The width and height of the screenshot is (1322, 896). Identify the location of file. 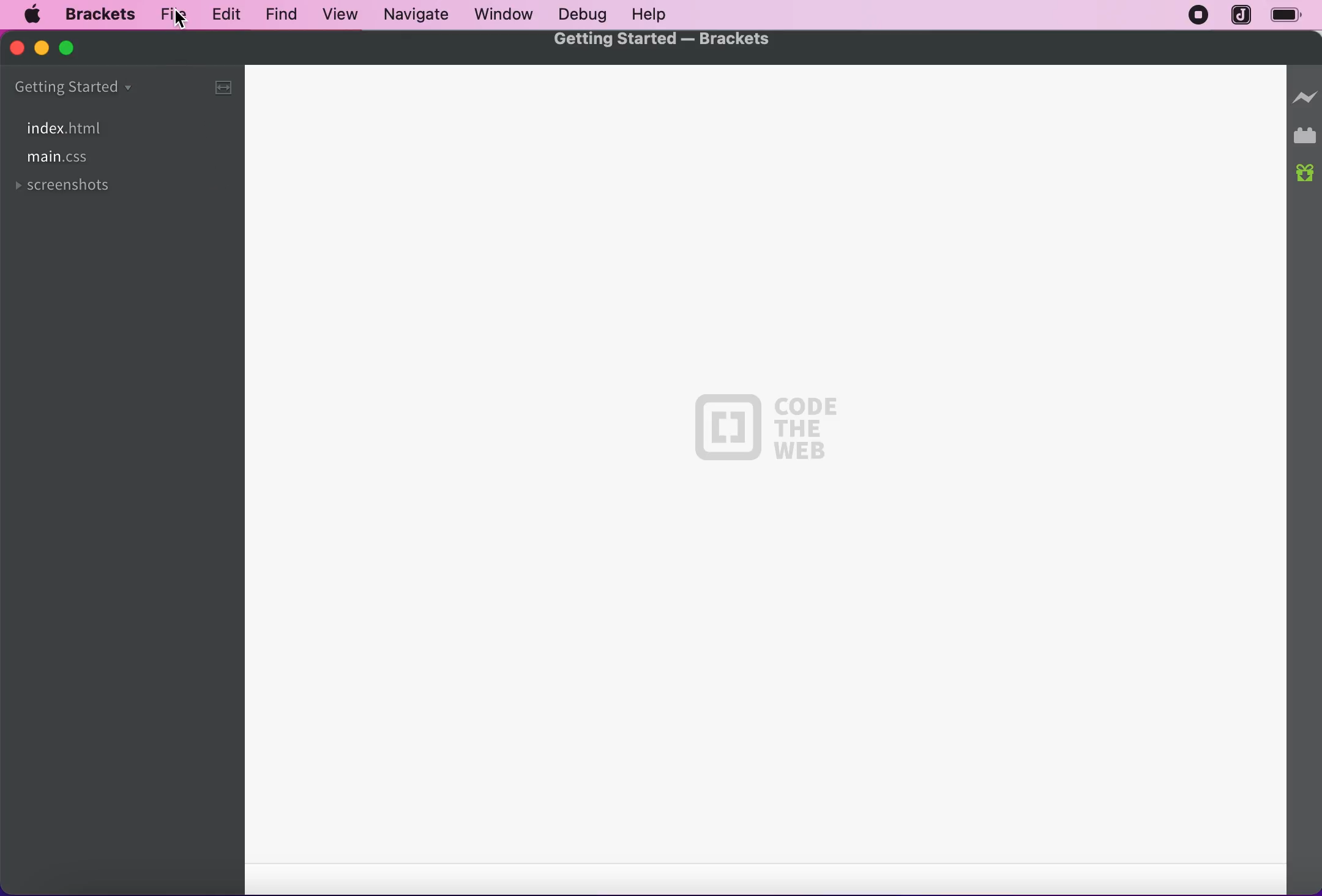
(170, 15).